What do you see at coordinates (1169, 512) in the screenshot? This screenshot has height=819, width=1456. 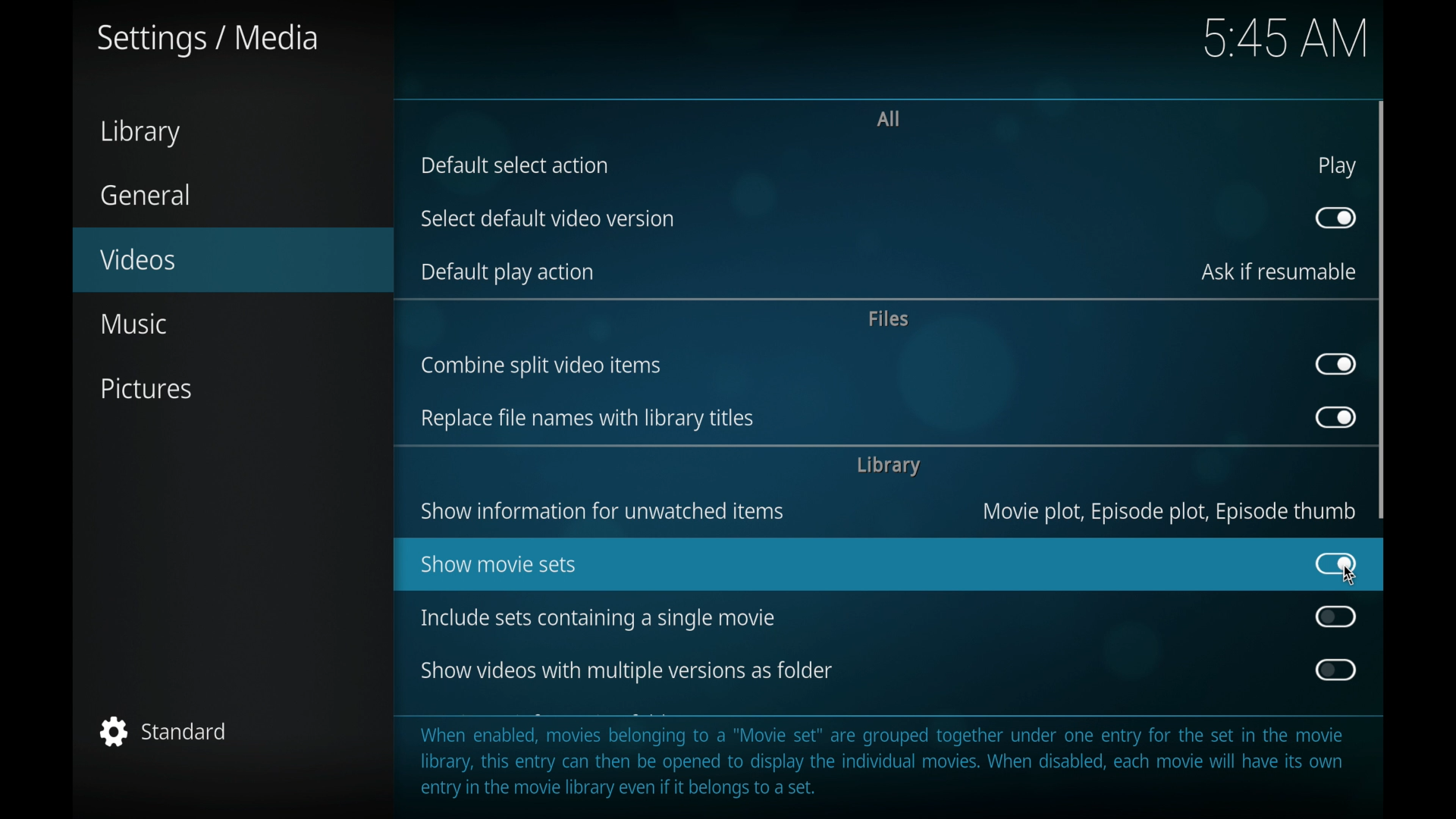 I see `movie plot` at bounding box center [1169, 512].